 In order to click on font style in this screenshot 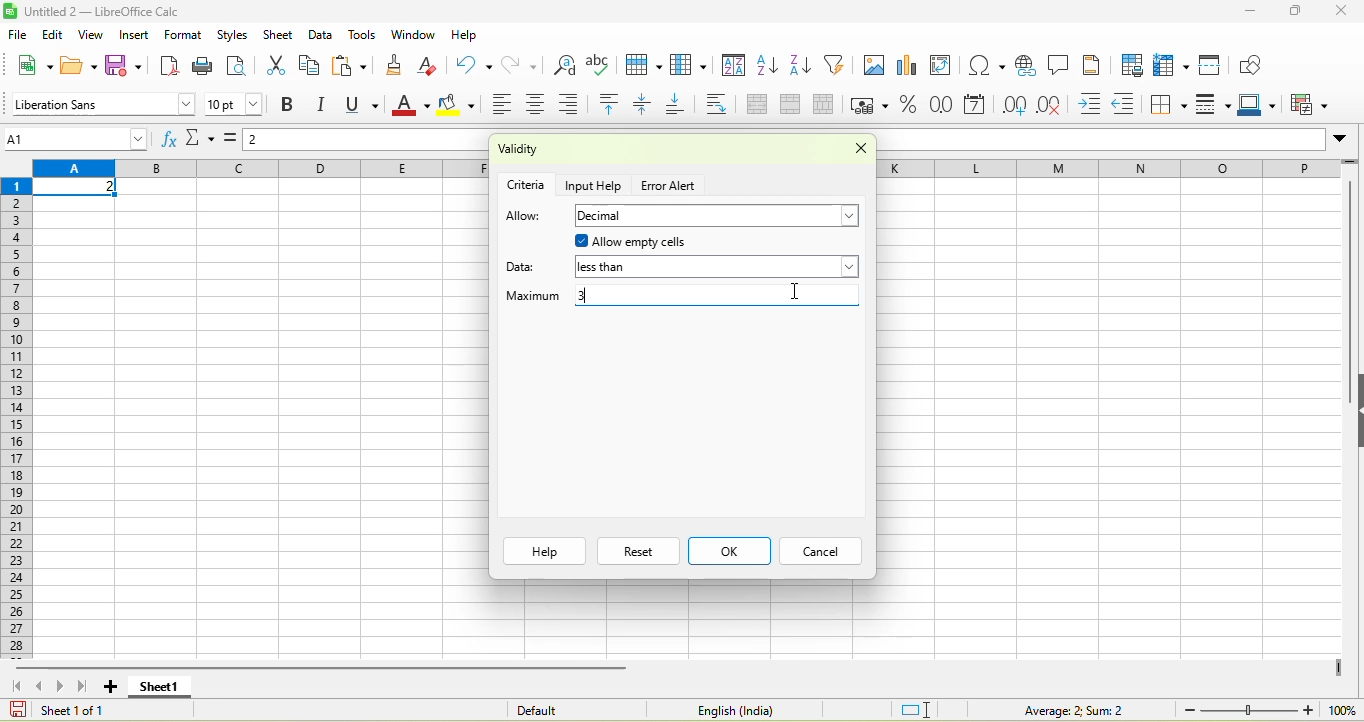, I will do `click(101, 103)`.